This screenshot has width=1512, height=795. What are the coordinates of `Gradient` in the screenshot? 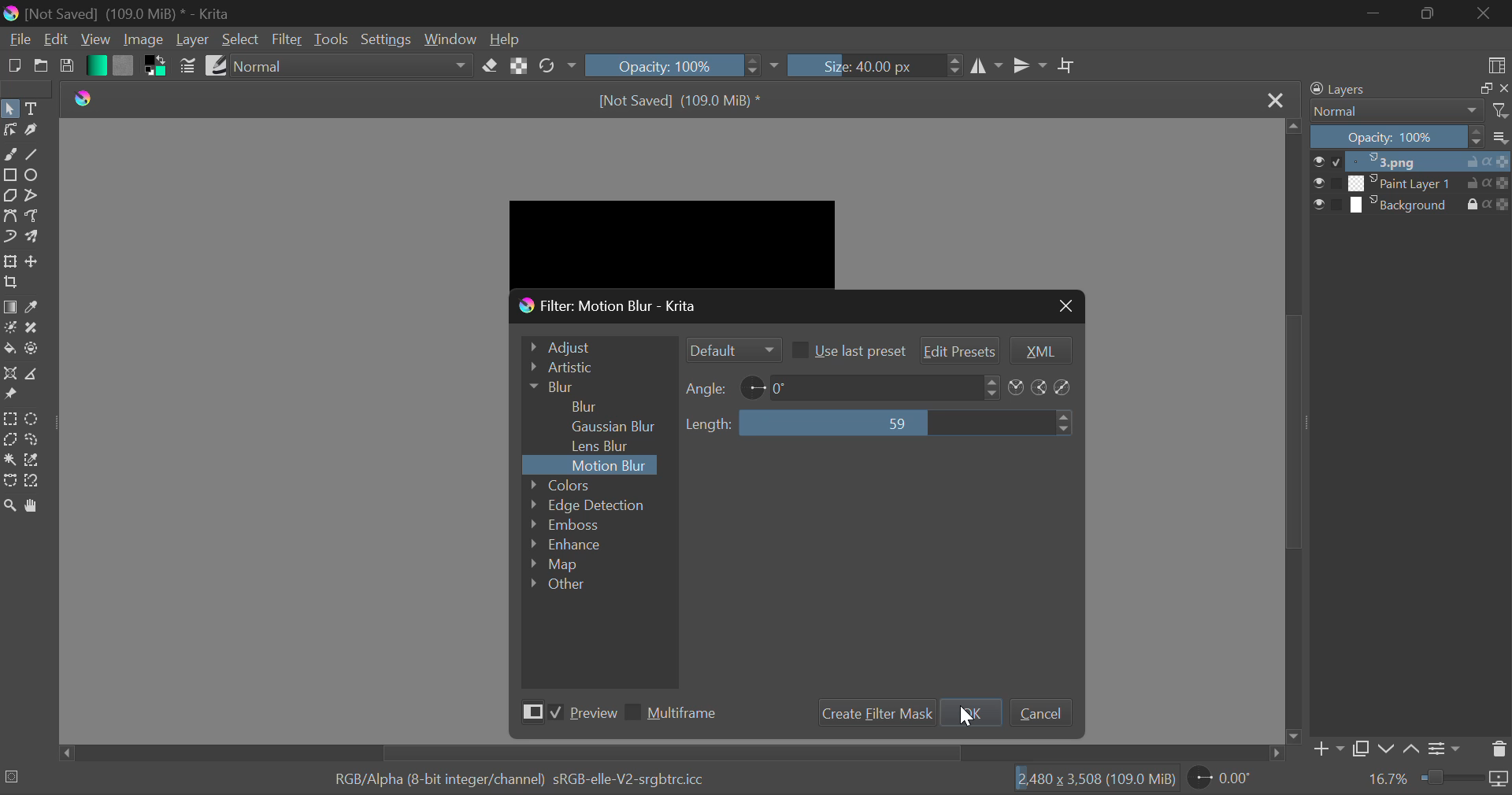 It's located at (95, 65).